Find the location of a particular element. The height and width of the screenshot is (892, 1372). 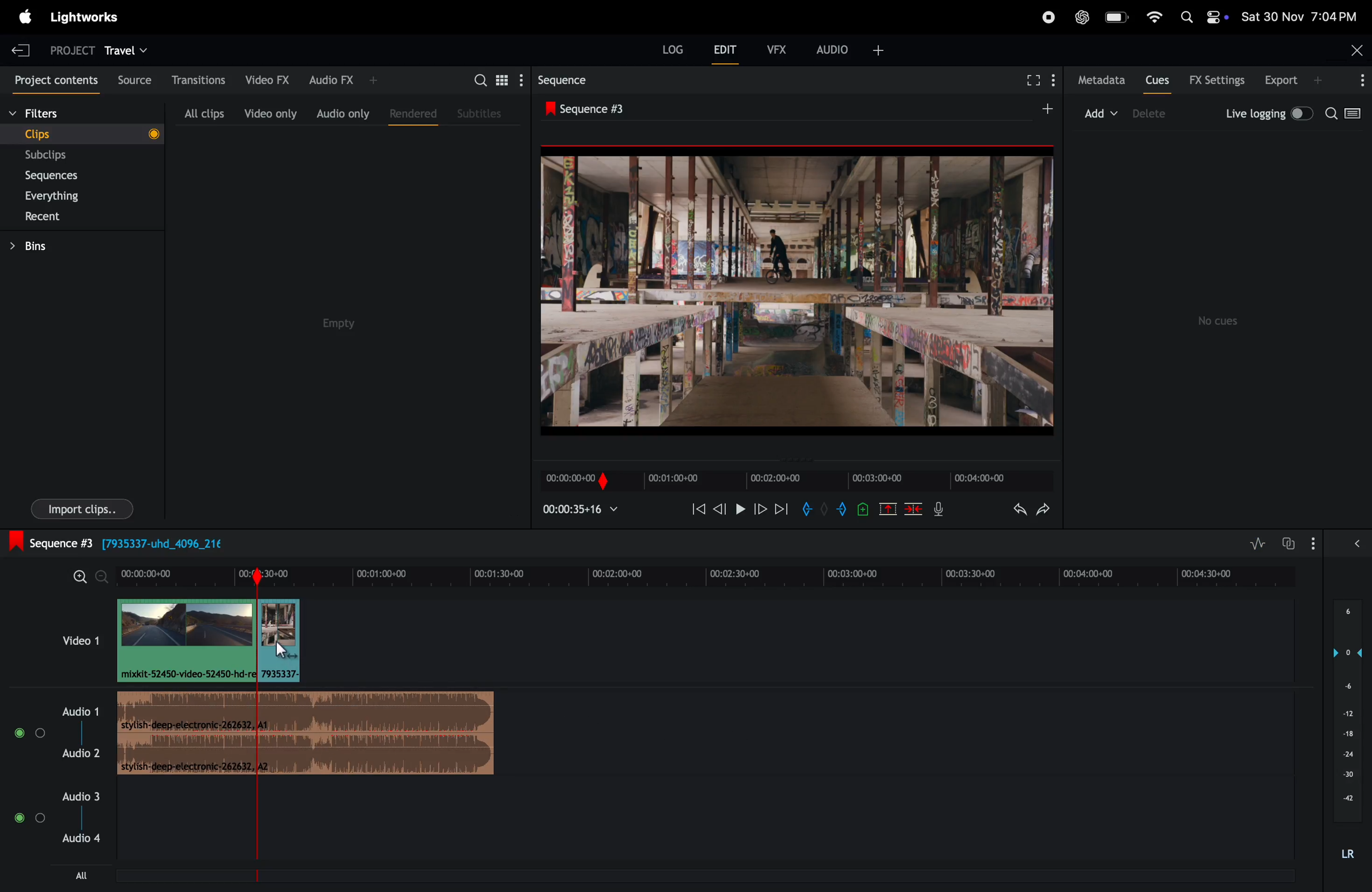

-18 (layers) is located at coordinates (1345, 735).